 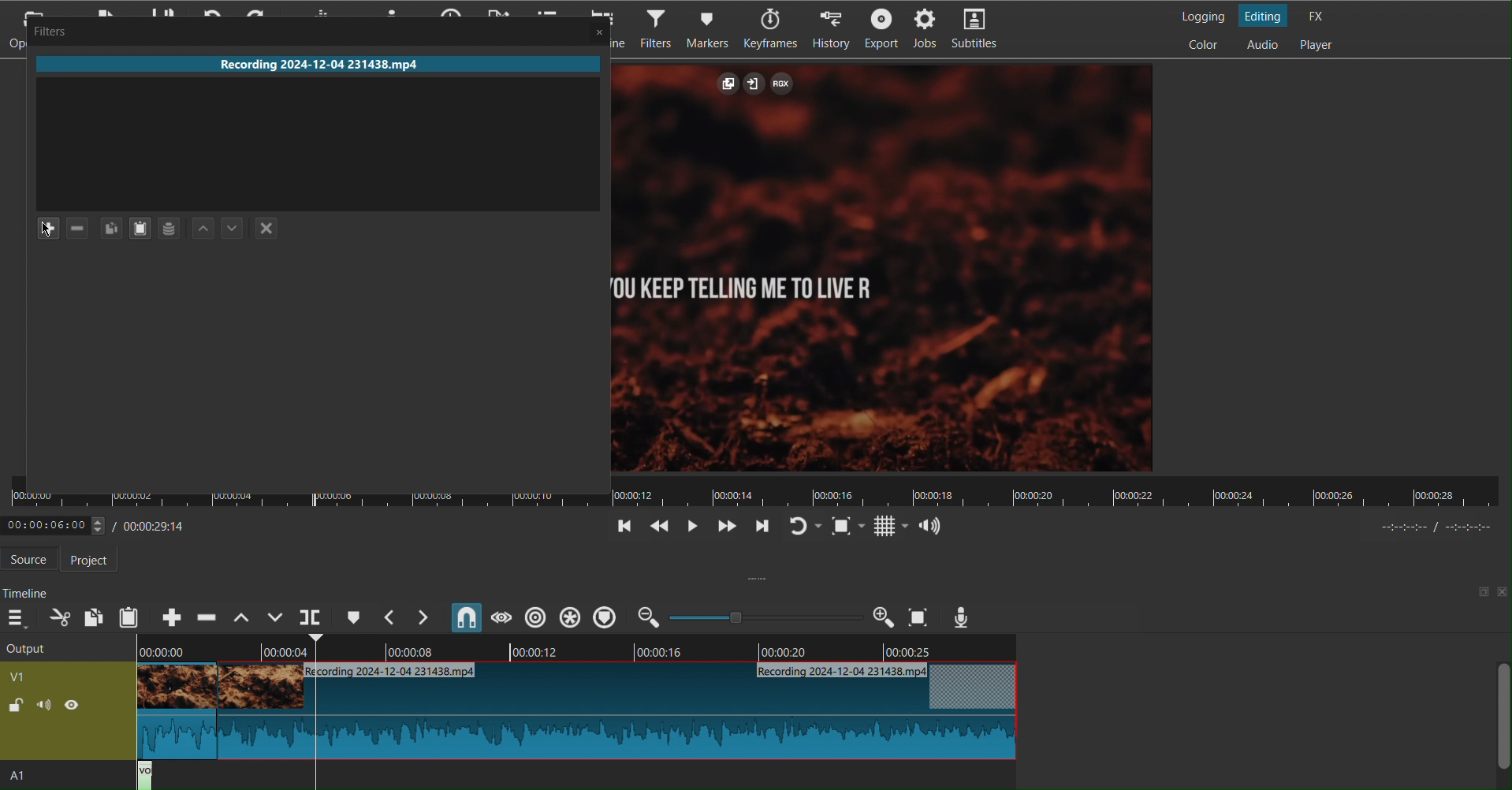 What do you see at coordinates (712, 28) in the screenshot?
I see `Markers` at bounding box center [712, 28].